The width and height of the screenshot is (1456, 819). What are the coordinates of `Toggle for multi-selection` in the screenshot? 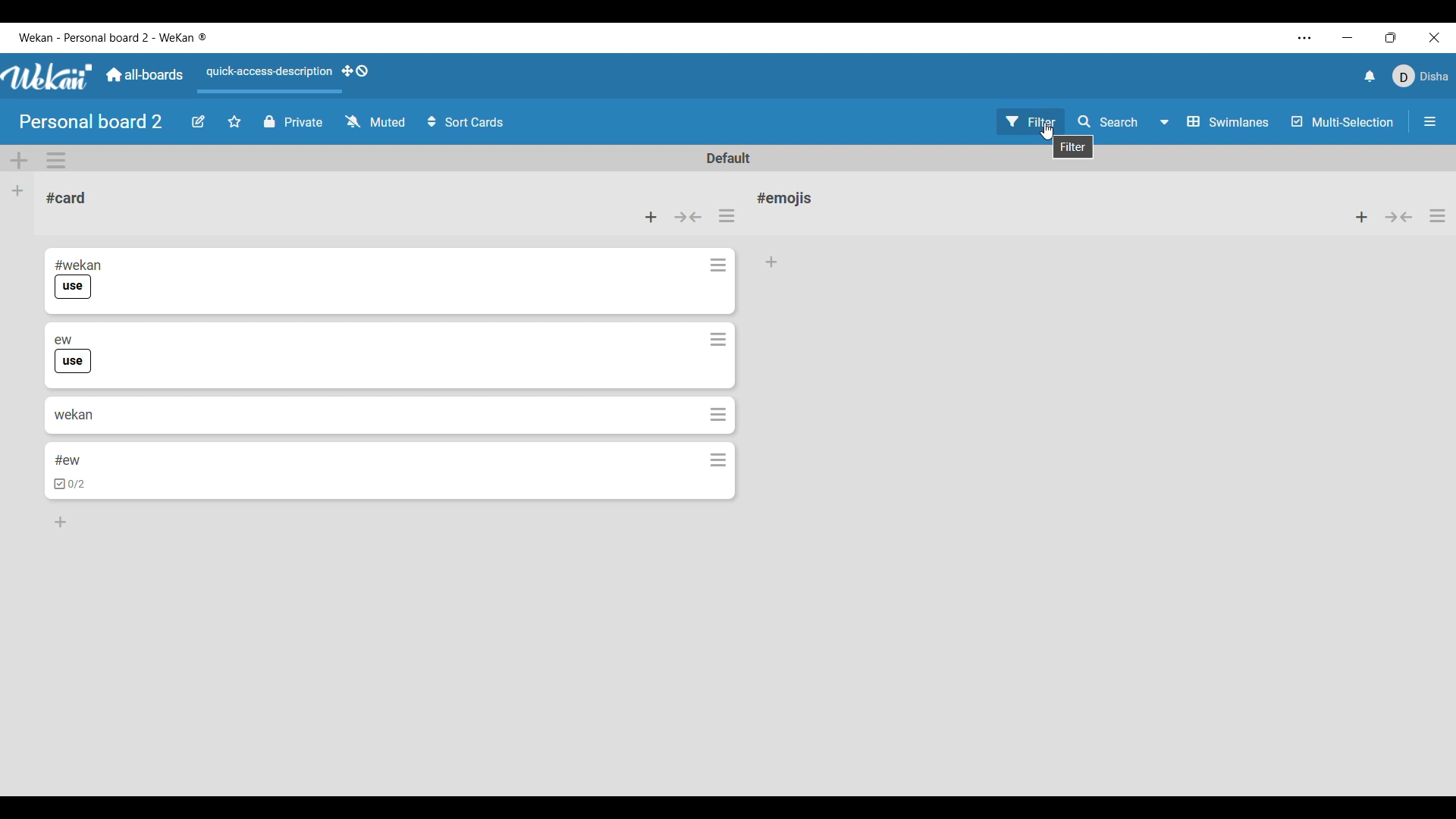 It's located at (1343, 121).